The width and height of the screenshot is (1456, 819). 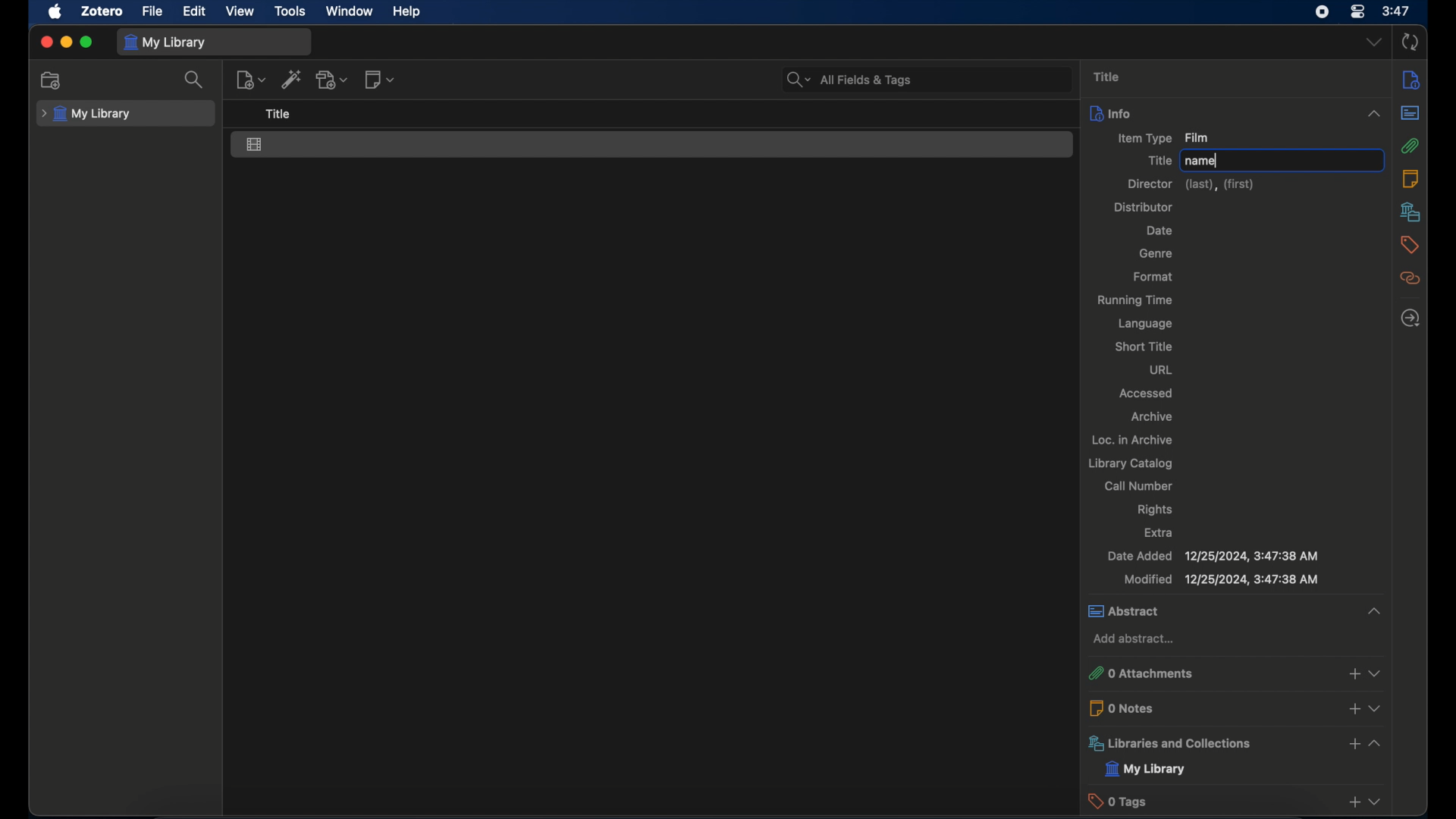 I want to click on library catalog, so click(x=1134, y=464).